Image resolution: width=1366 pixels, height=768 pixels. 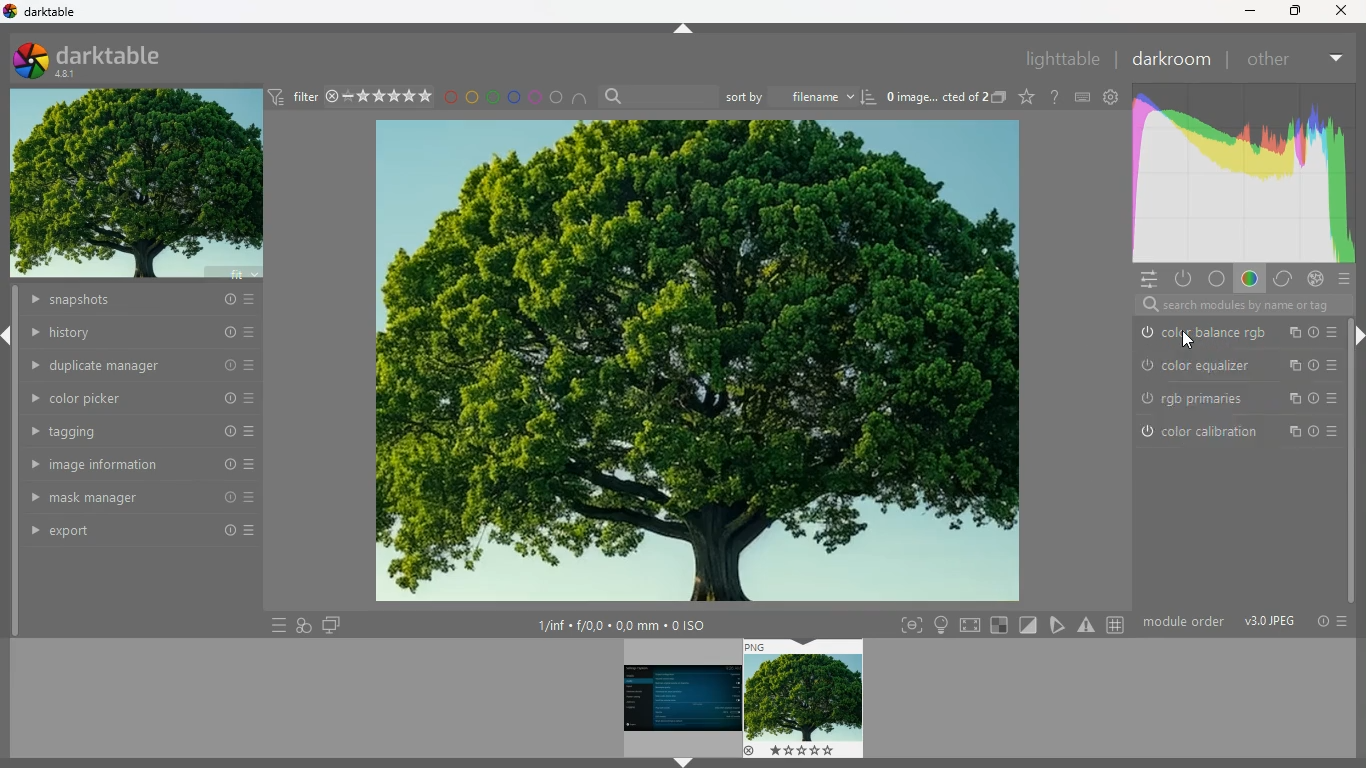 What do you see at coordinates (1144, 278) in the screenshot?
I see `settings` at bounding box center [1144, 278].